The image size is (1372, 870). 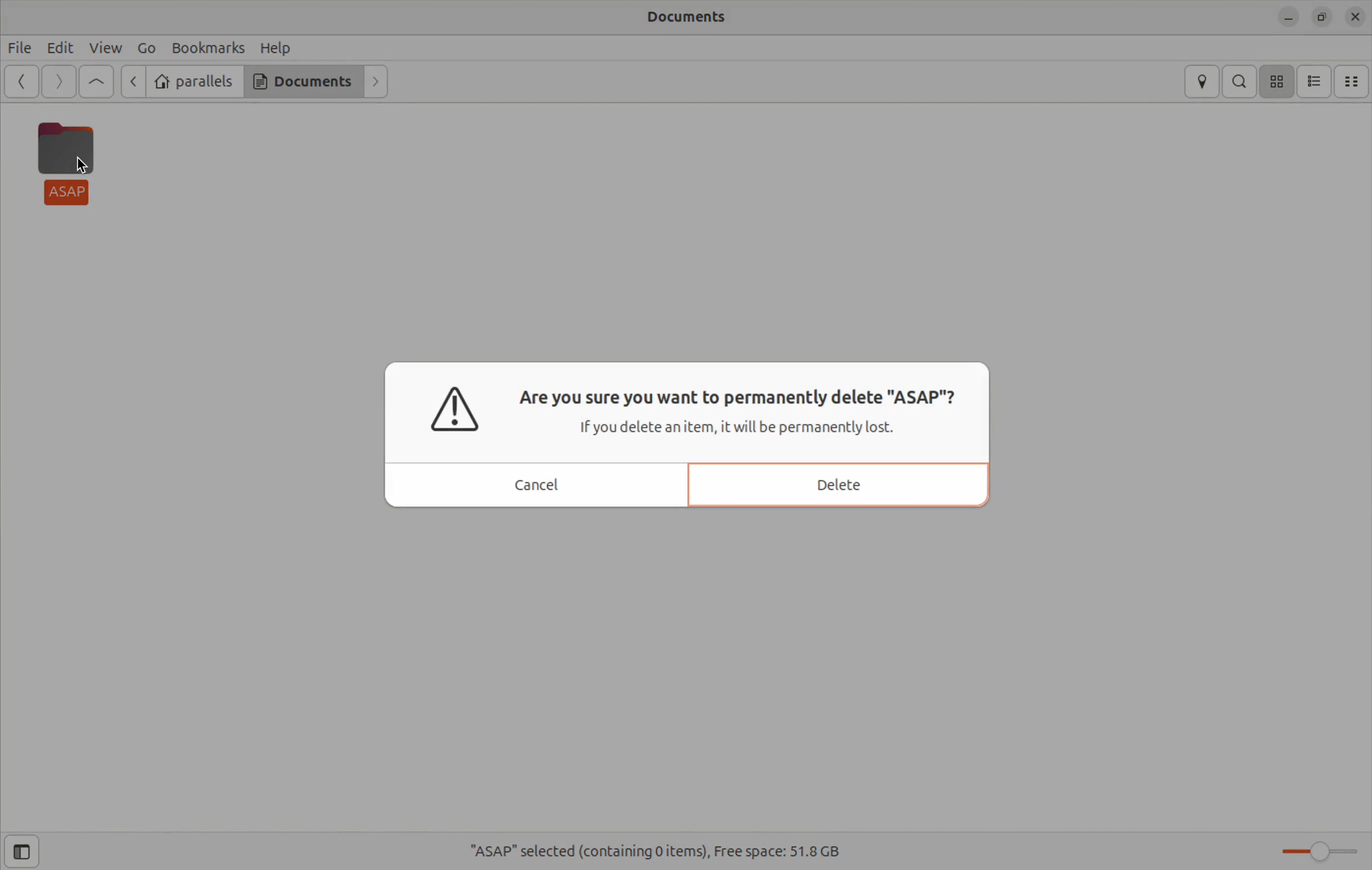 I want to click on Delete, so click(x=830, y=481).